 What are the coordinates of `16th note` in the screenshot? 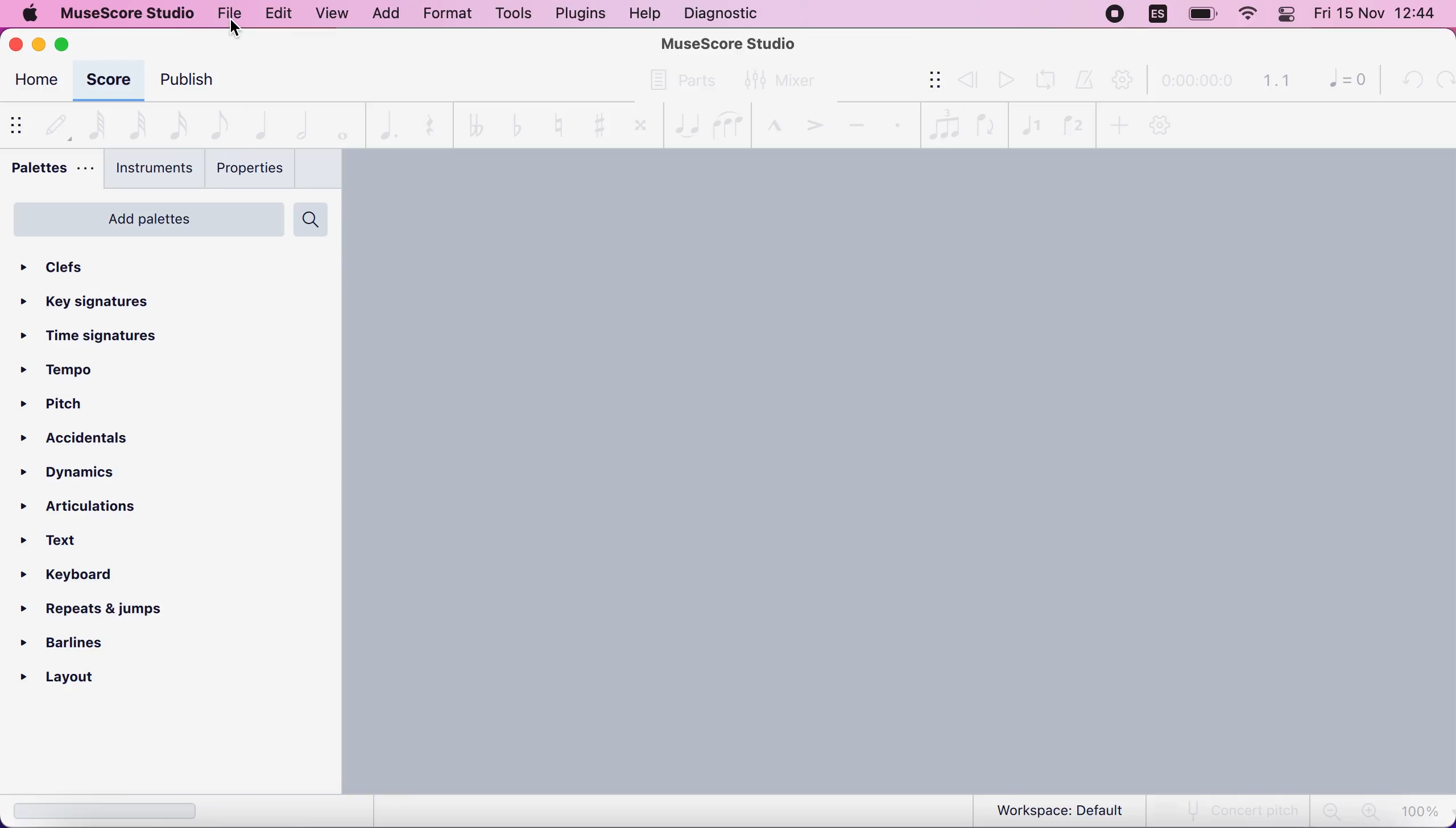 It's located at (176, 124).